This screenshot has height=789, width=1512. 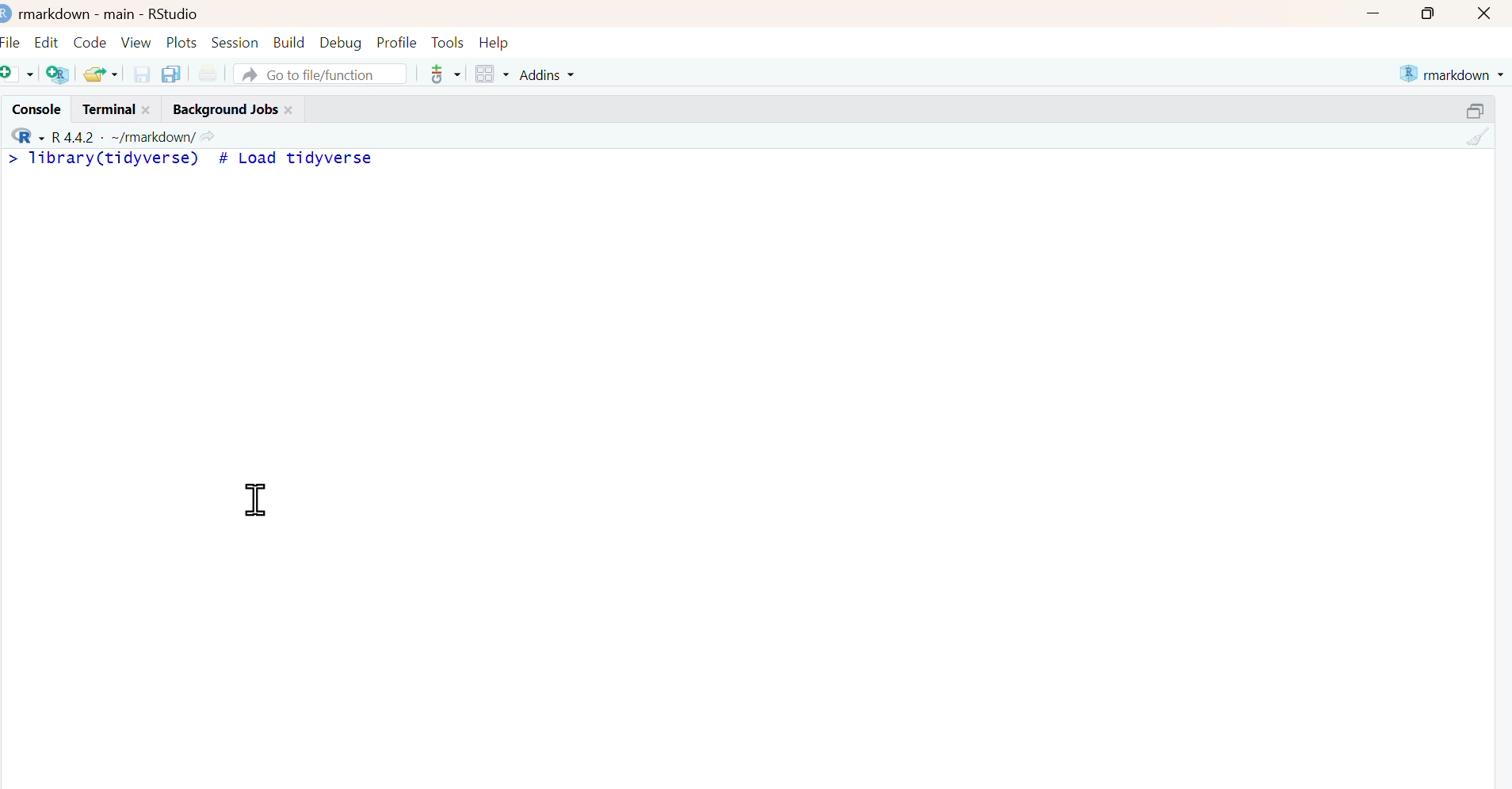 What do you see at coordinates (550, 74) in the screenshot?
I see `Addins` at bounding box center [550, 74].